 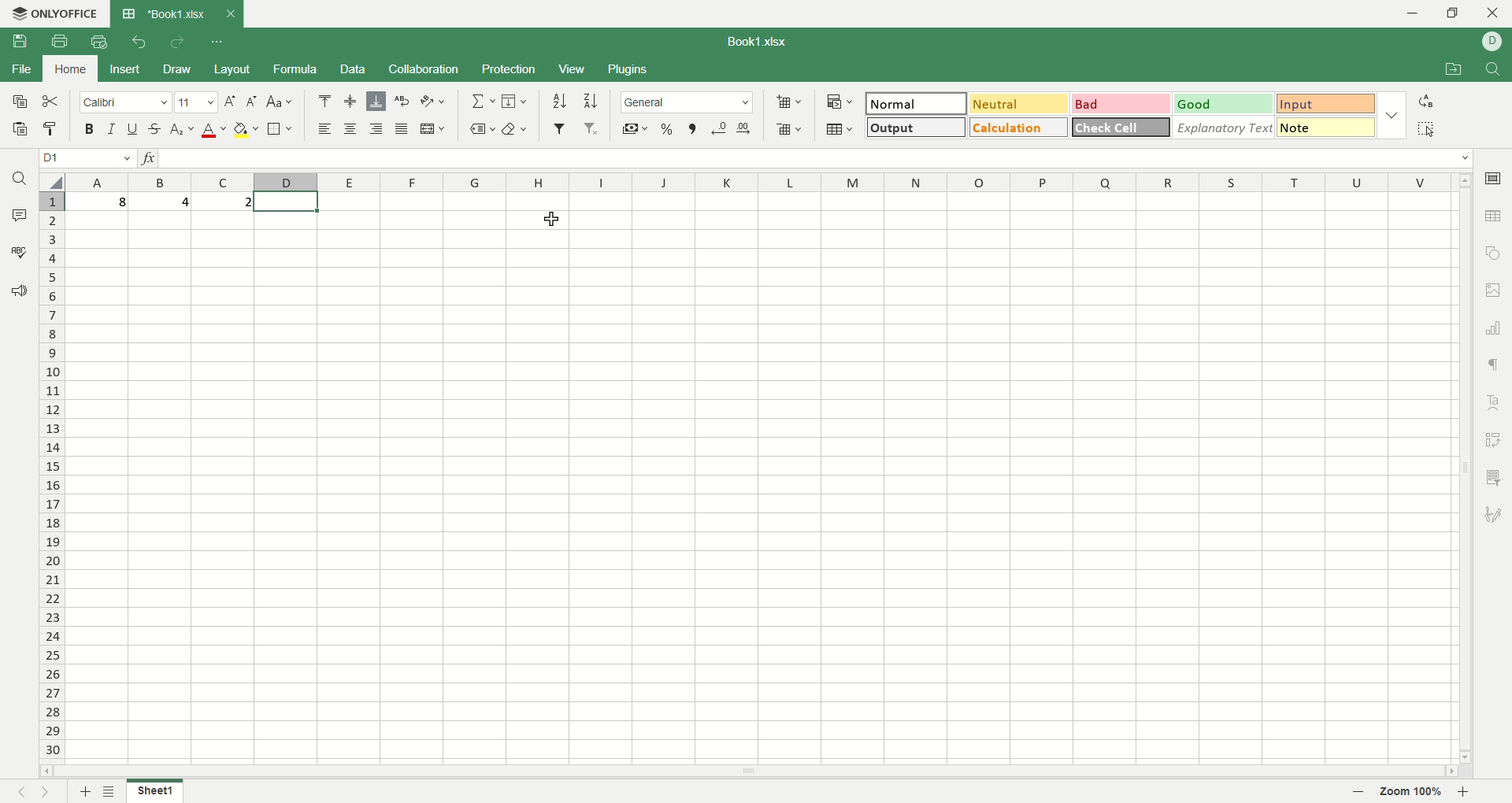 What do you see at coordinates (1224, 104) in the screenshot?
I see `good` at bounding box center [1224, 104].